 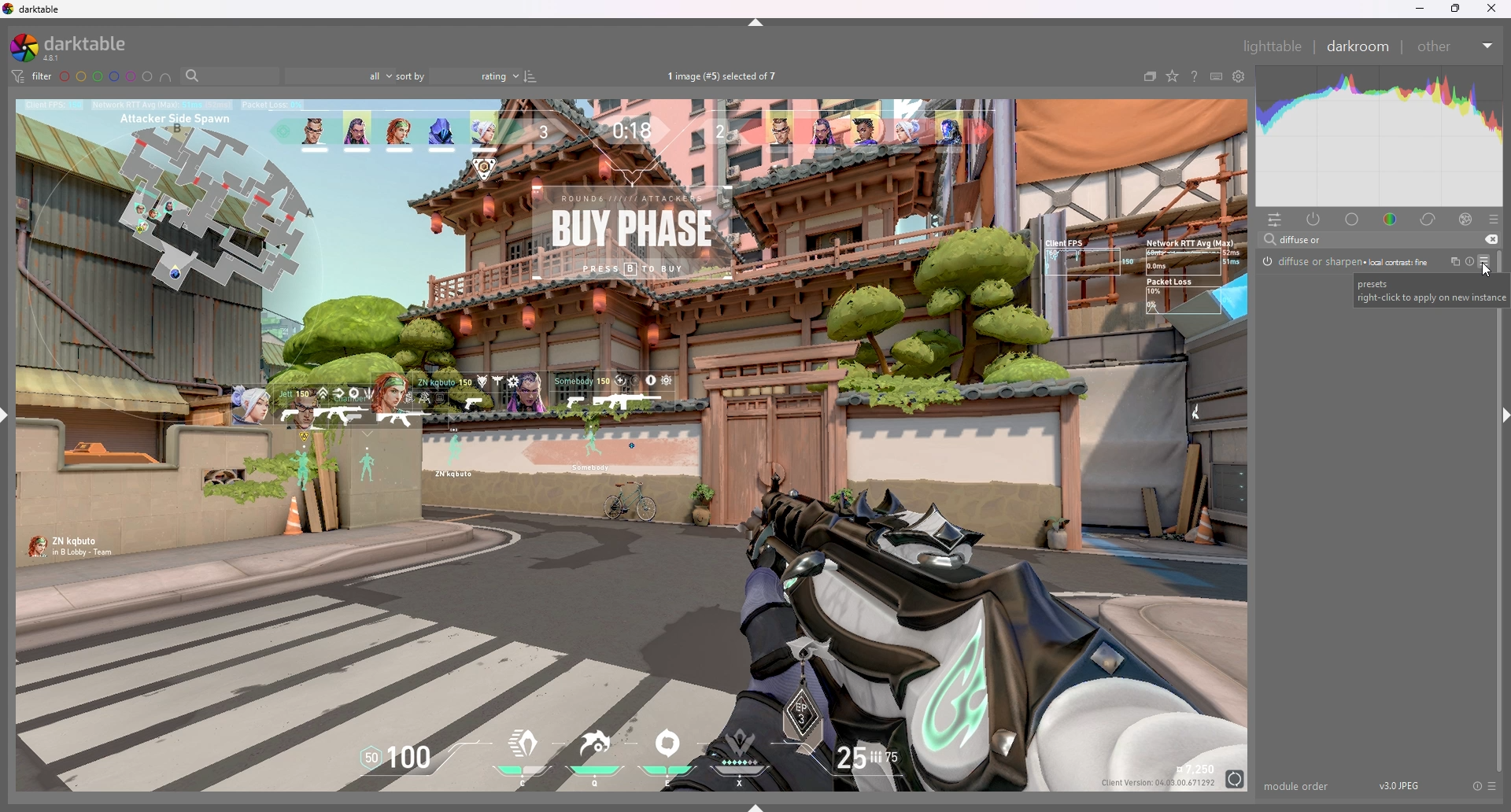 I want to click on presets, so click(x=1493, y=786).